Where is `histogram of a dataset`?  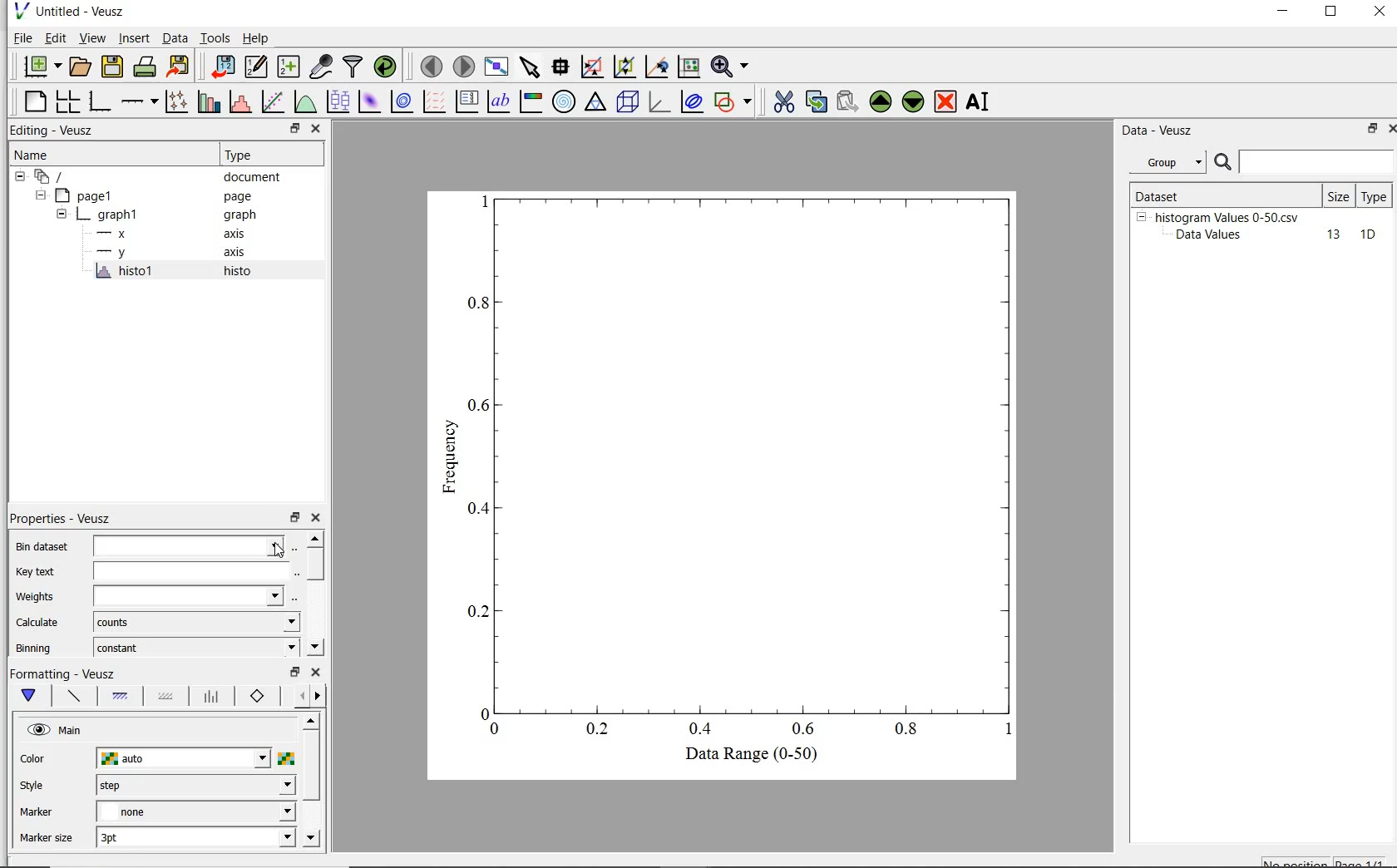
histogram of a dataset is located at coordinates (239, 102).